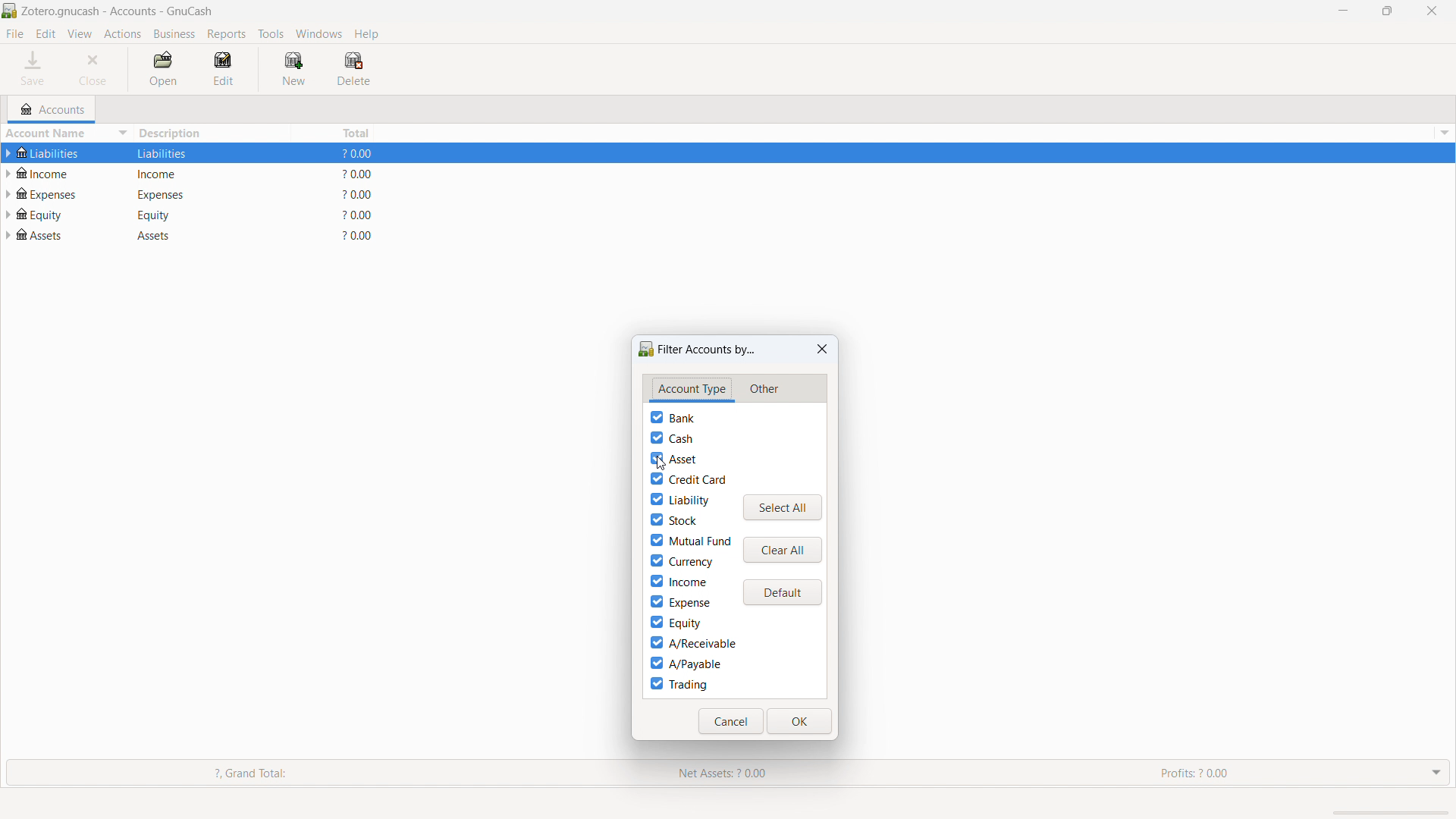 The height and width of the screenshot is (819, 1456). I want to click on equity, so click(171, 215).